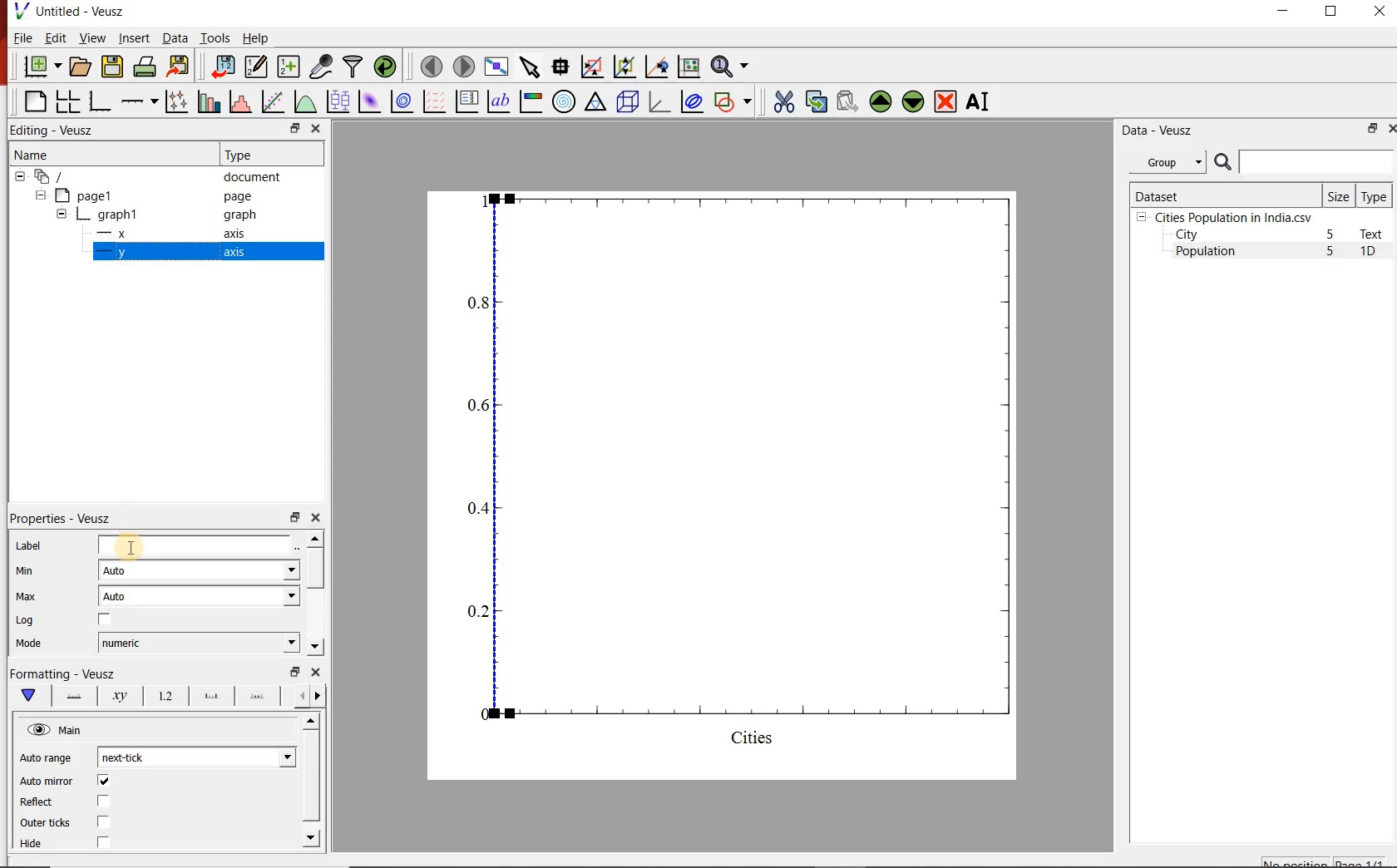  I want to click on close, so click(318, 128).